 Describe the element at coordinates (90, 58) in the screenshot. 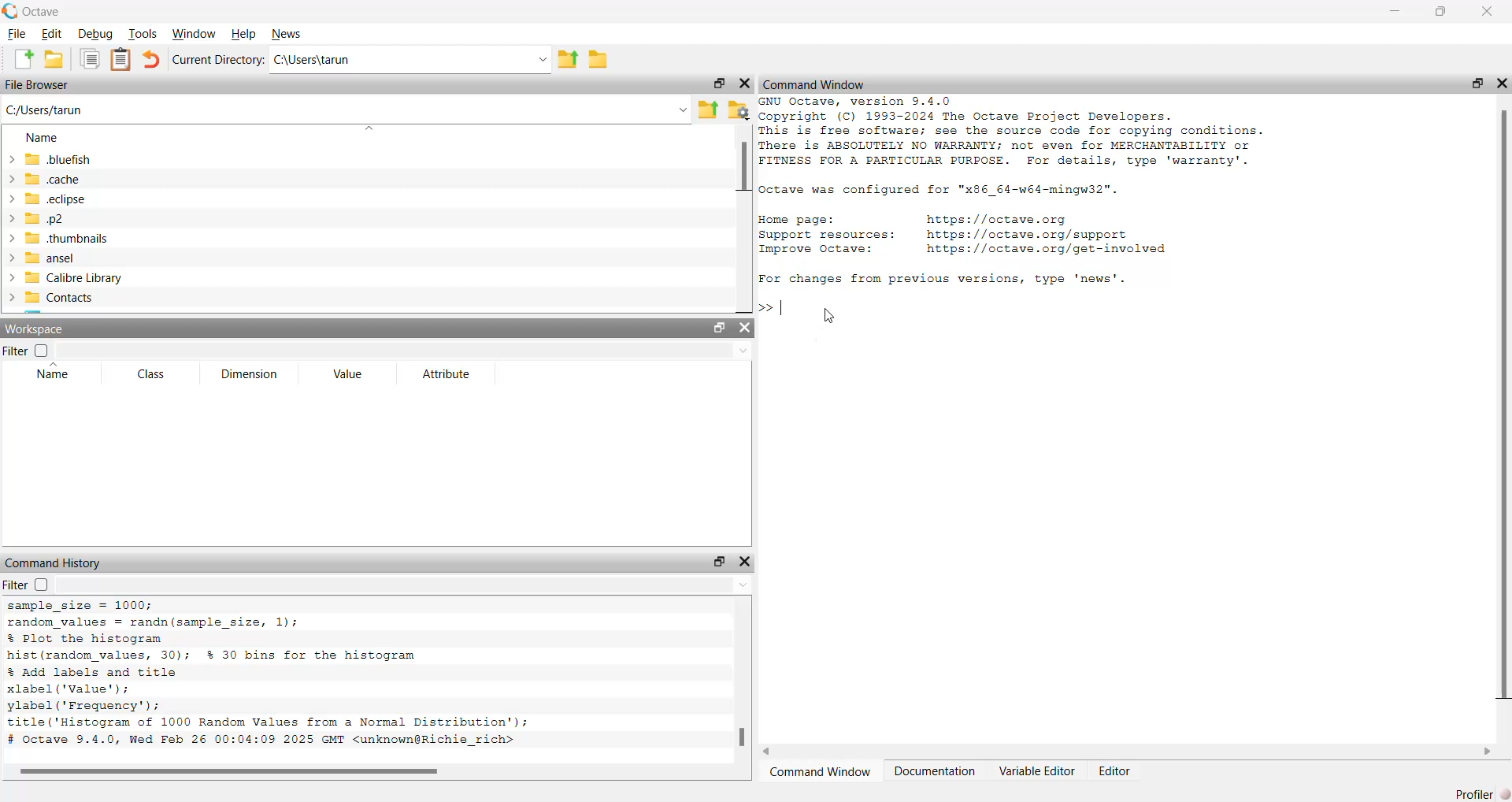

I see `duplicate` at that location.